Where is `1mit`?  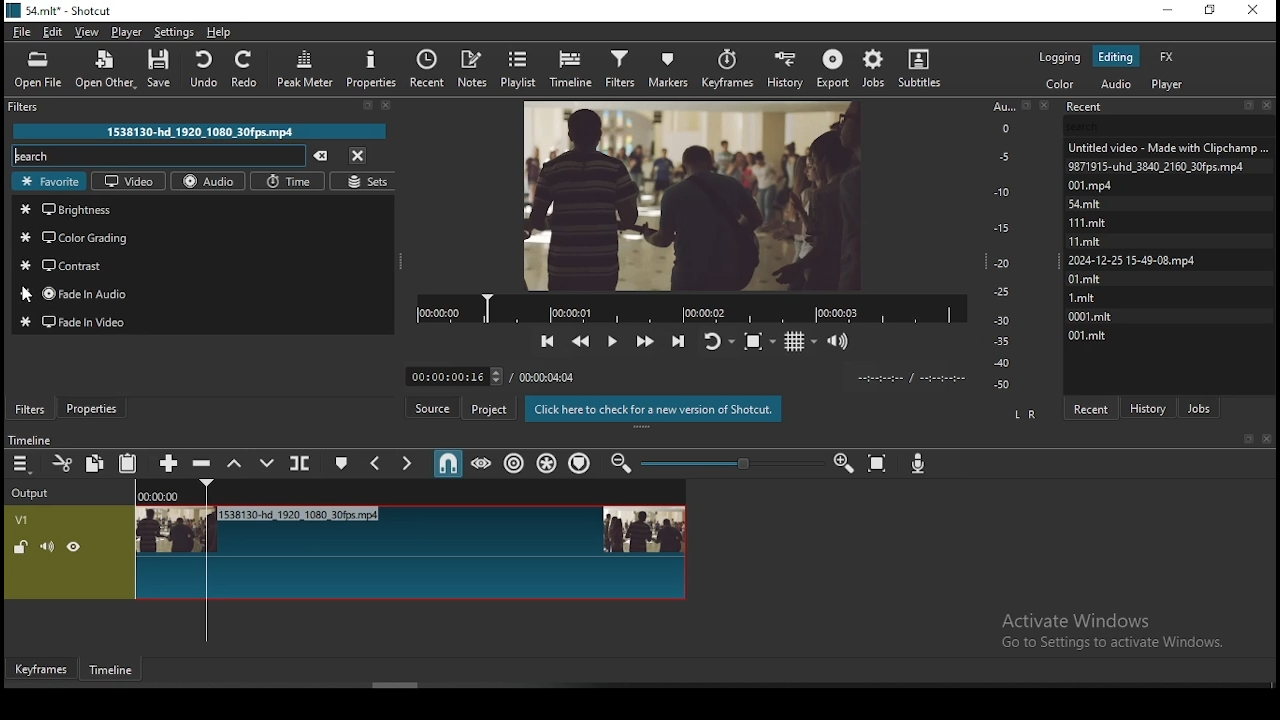
1mit is located at coordinates (1091, 296).